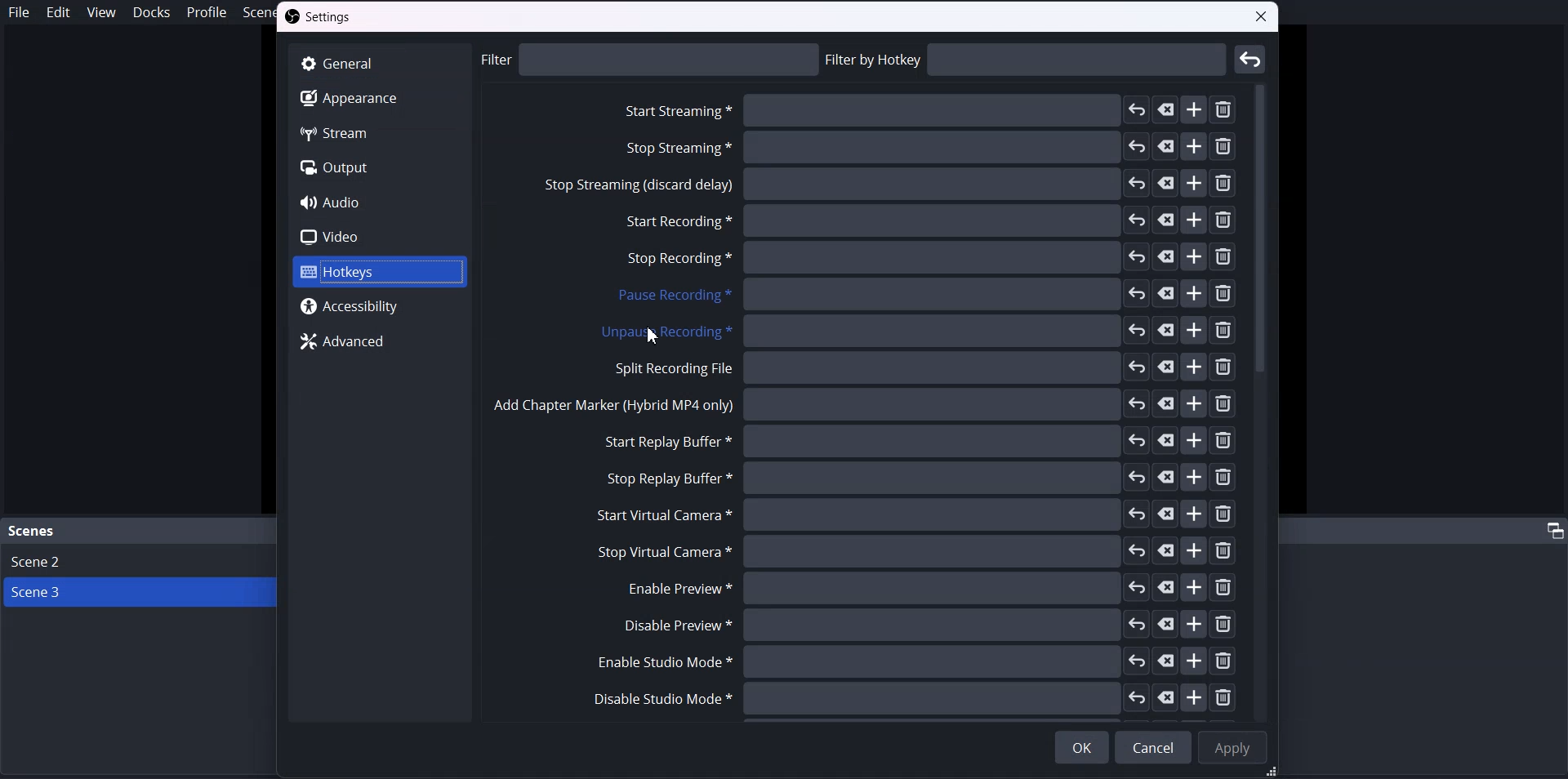 The height and width of the screenshot is (779, 1568). Describe the element at coordinates (377, 273) in the screenshot. I see `Hotkeys` at that location.